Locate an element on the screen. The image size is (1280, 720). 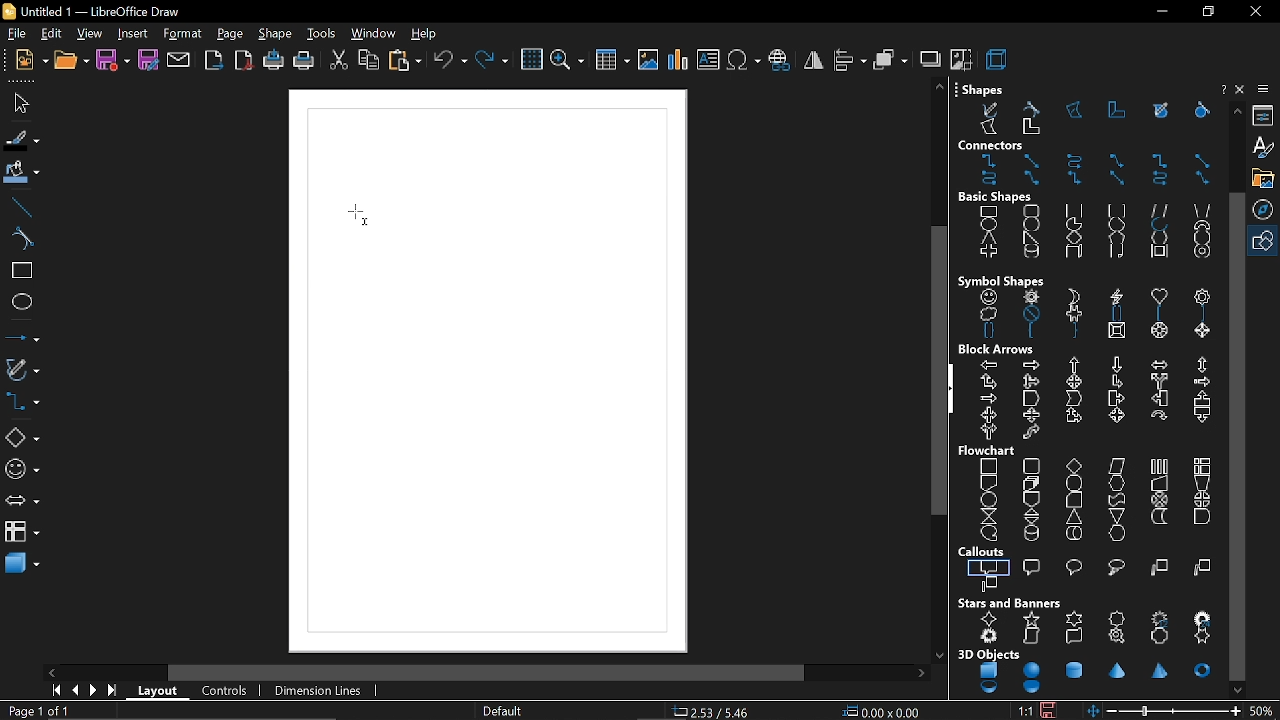
right arrow callout is located at coordinates (1115, 399).